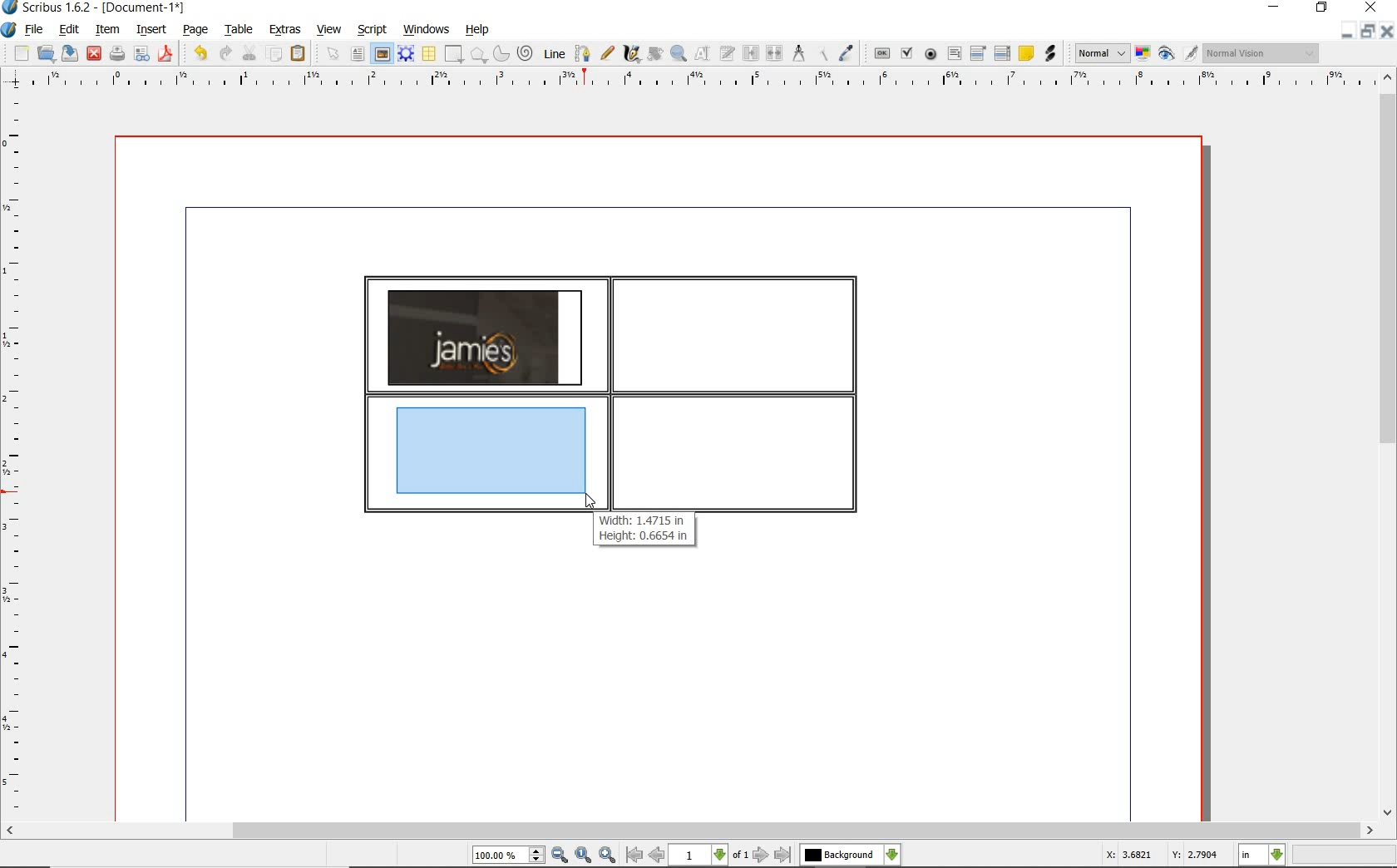 The width and height of the screenshot is (1397, 868). What do you see at coordinates (165, 53) in the screenshot?
I see `save as pdf` at bounding box center [165, 53].